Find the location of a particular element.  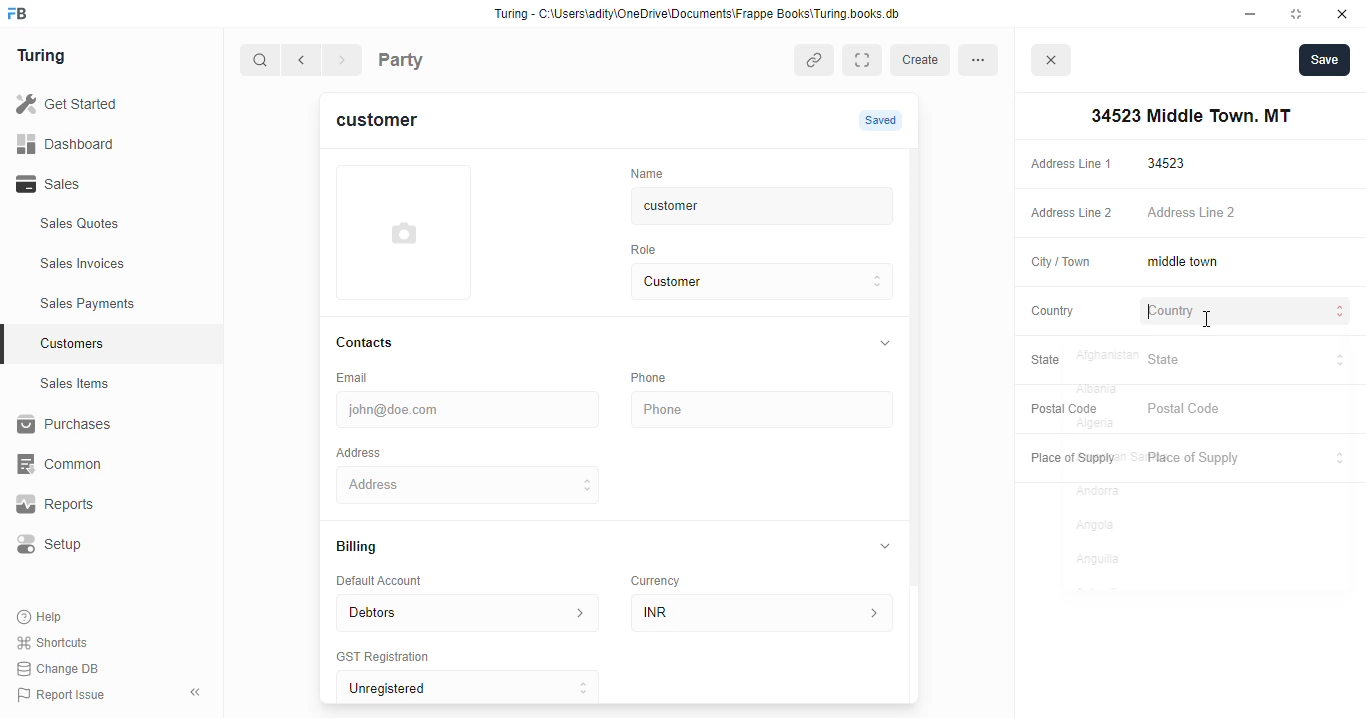

customer is located at coordinates (389, 123).